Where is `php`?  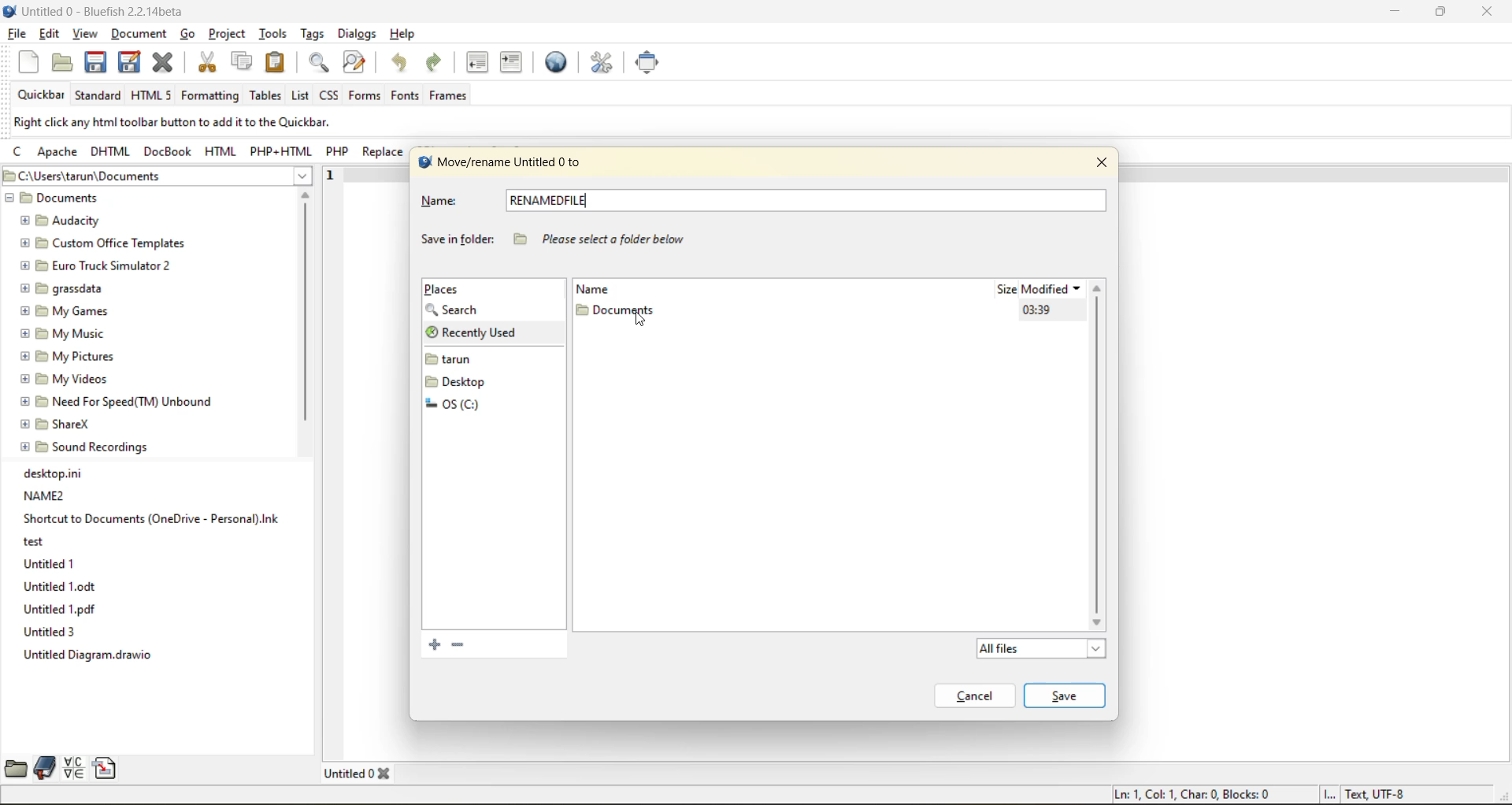 php is located at coordinates (341, 154).